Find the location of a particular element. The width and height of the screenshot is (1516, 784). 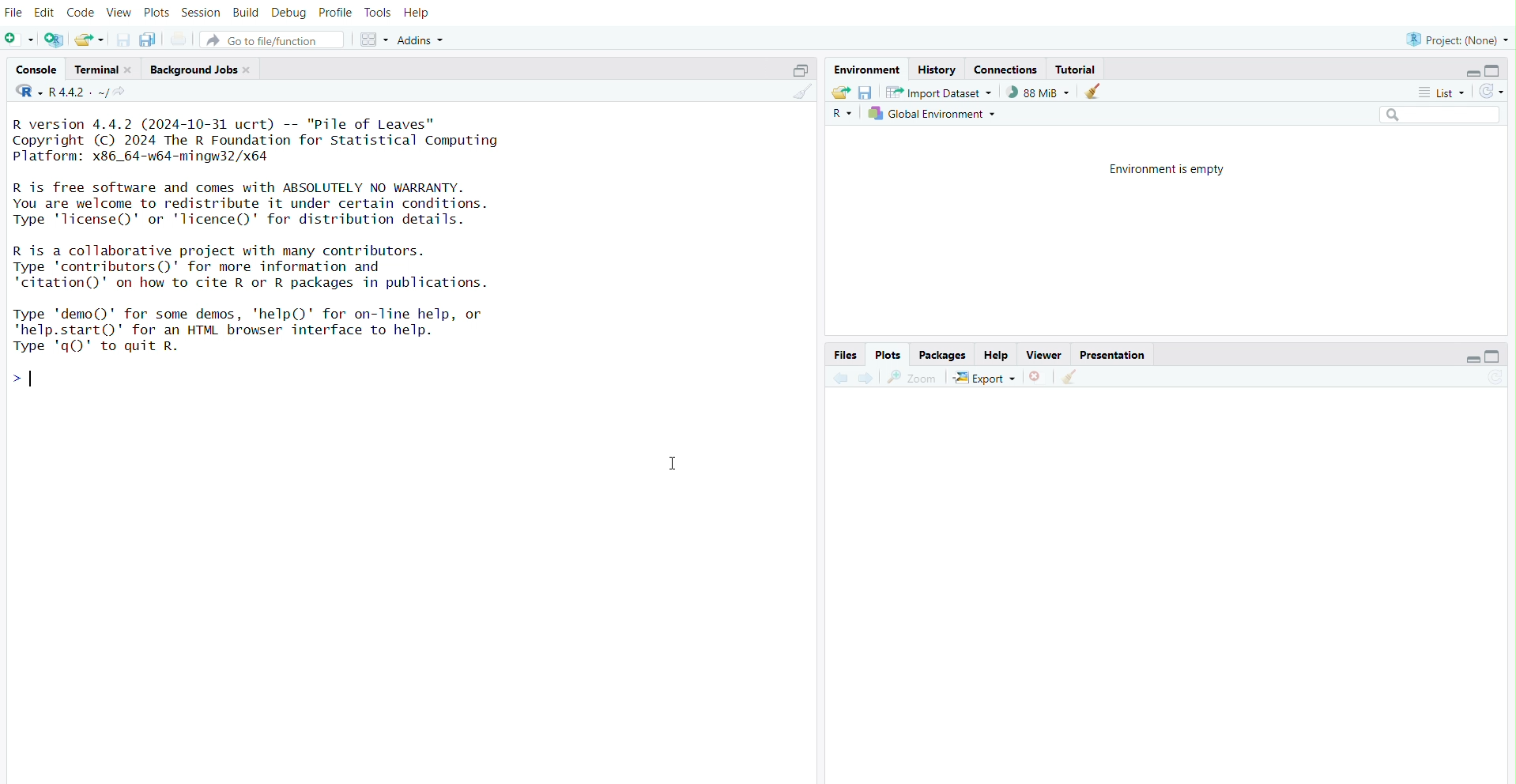

code is located at coordinates (82, 10).